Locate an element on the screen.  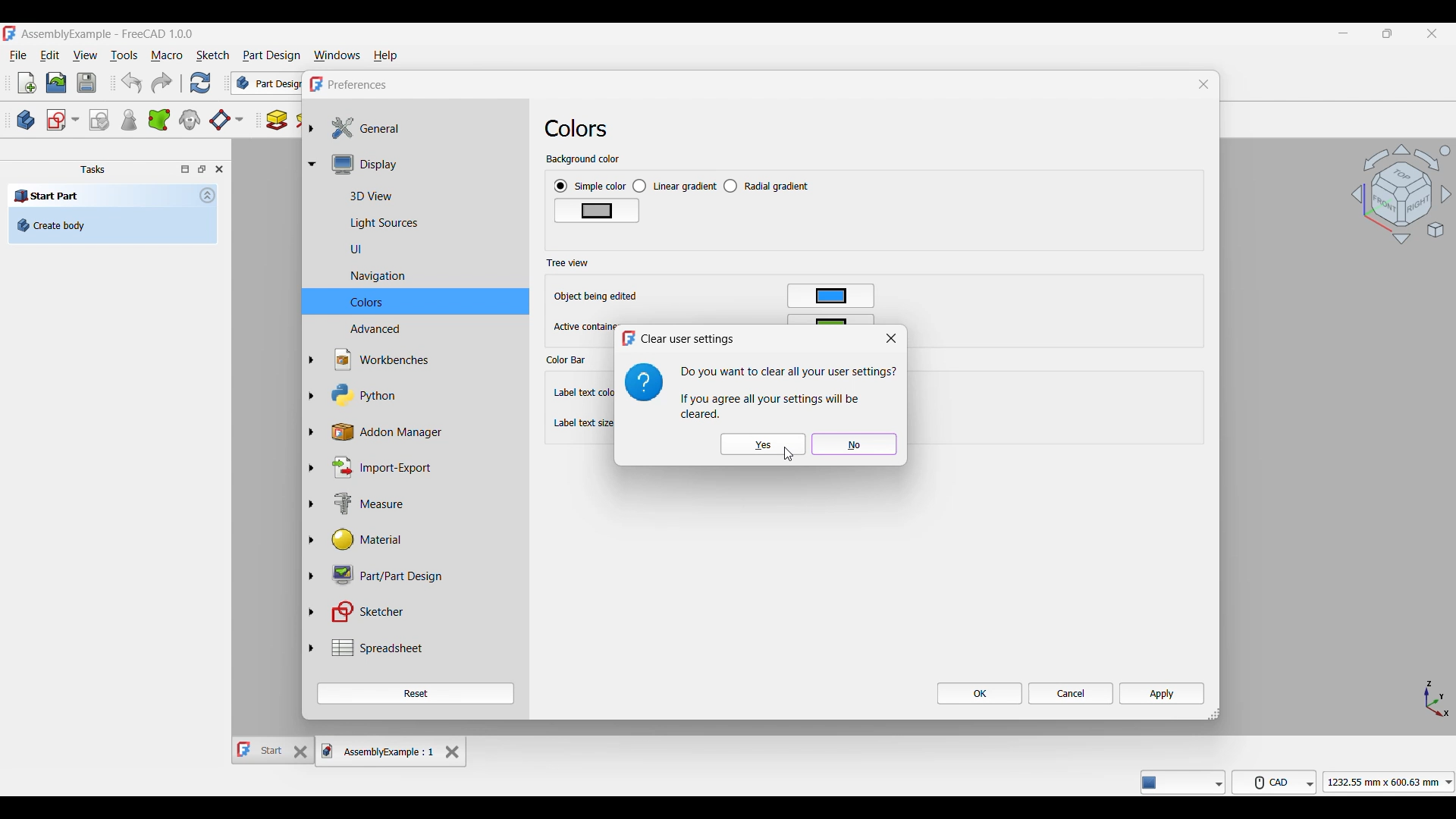
AssemblyExample : 1, current tab highlighted is located at coordinates (379, 751).